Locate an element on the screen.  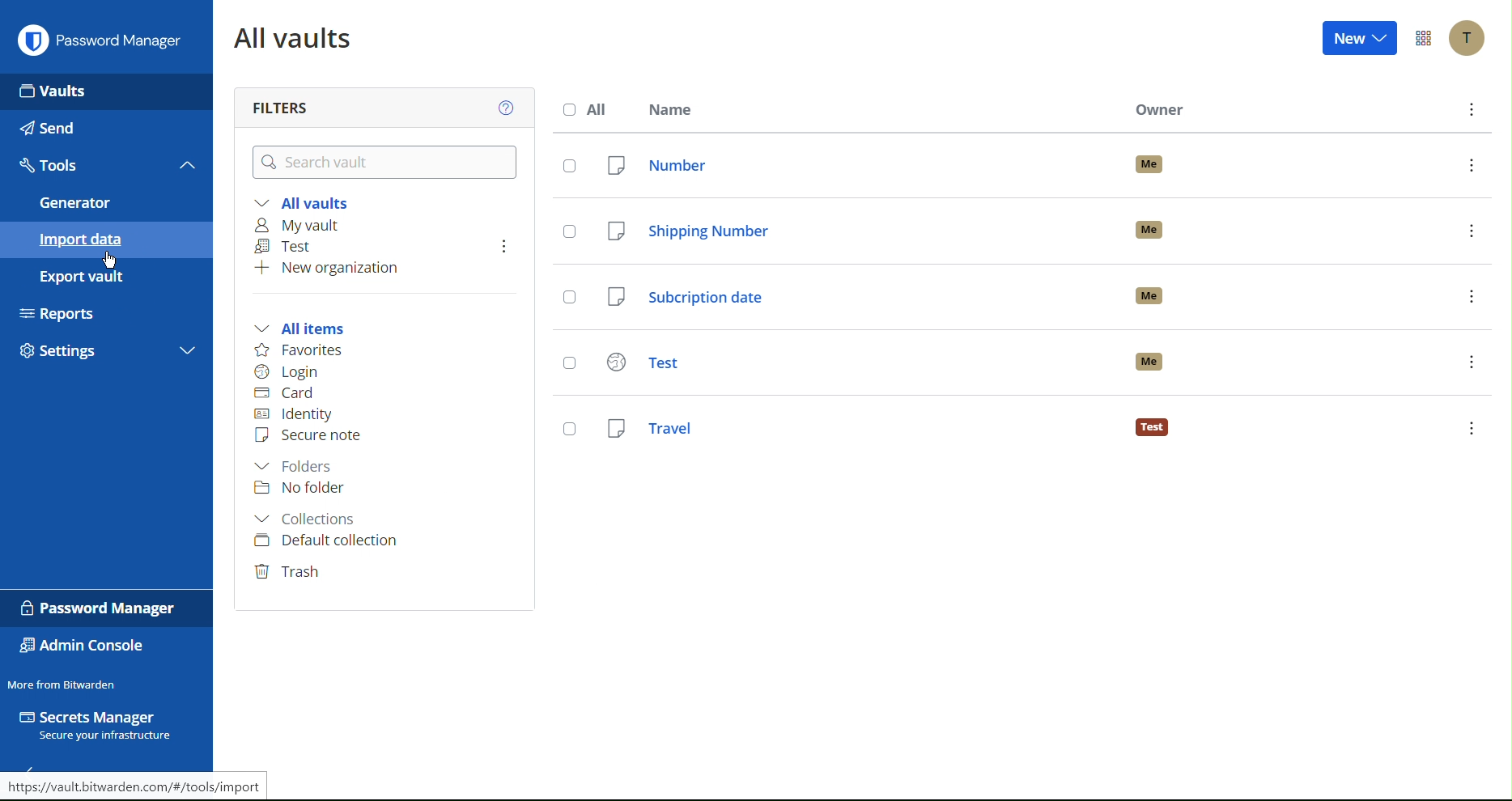
Export vault is located at coordinates (100, 276).